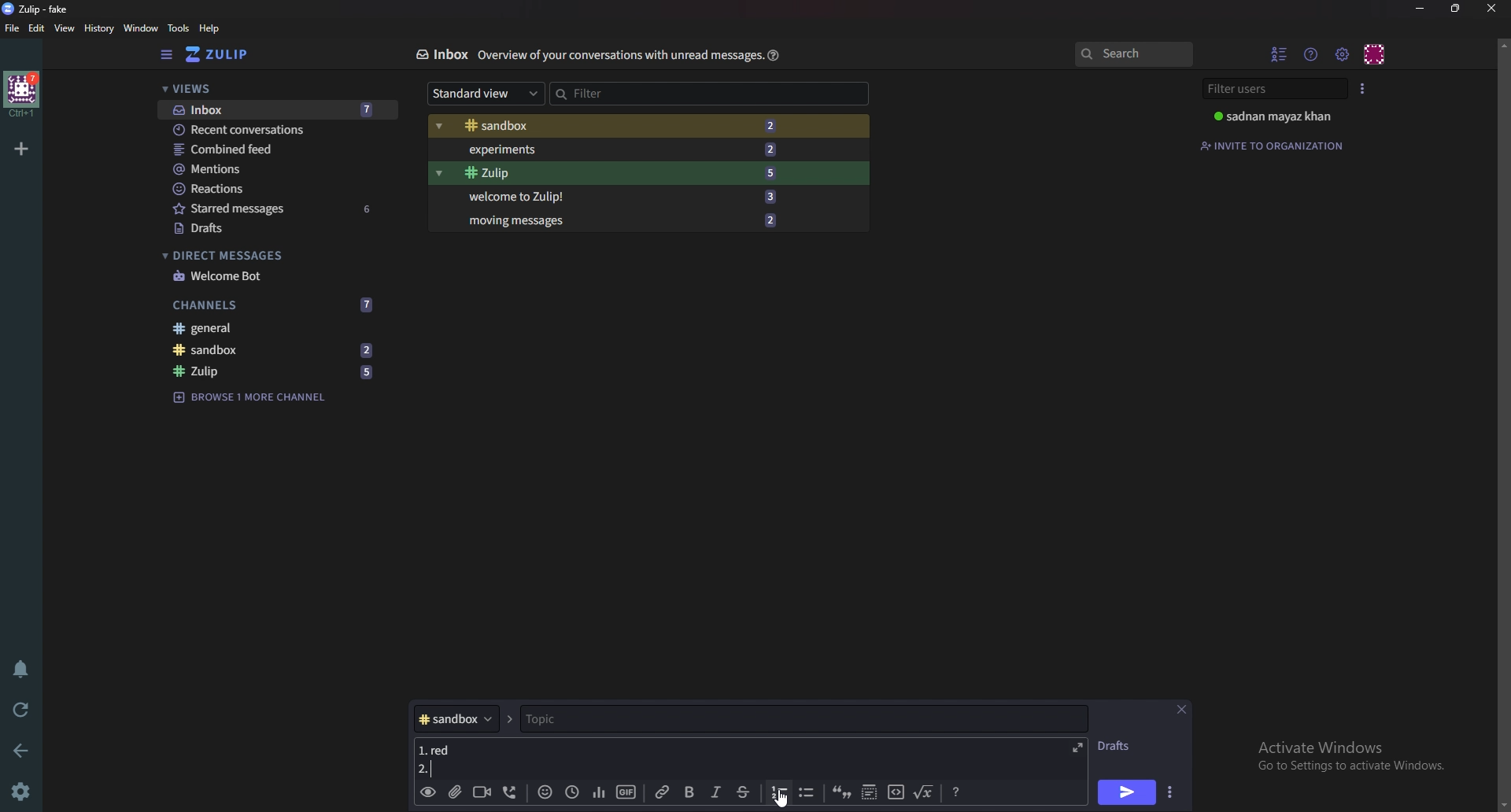  Describe the element at coordinates (23, 146) in the screenshot. I see `Add organization` at that location.